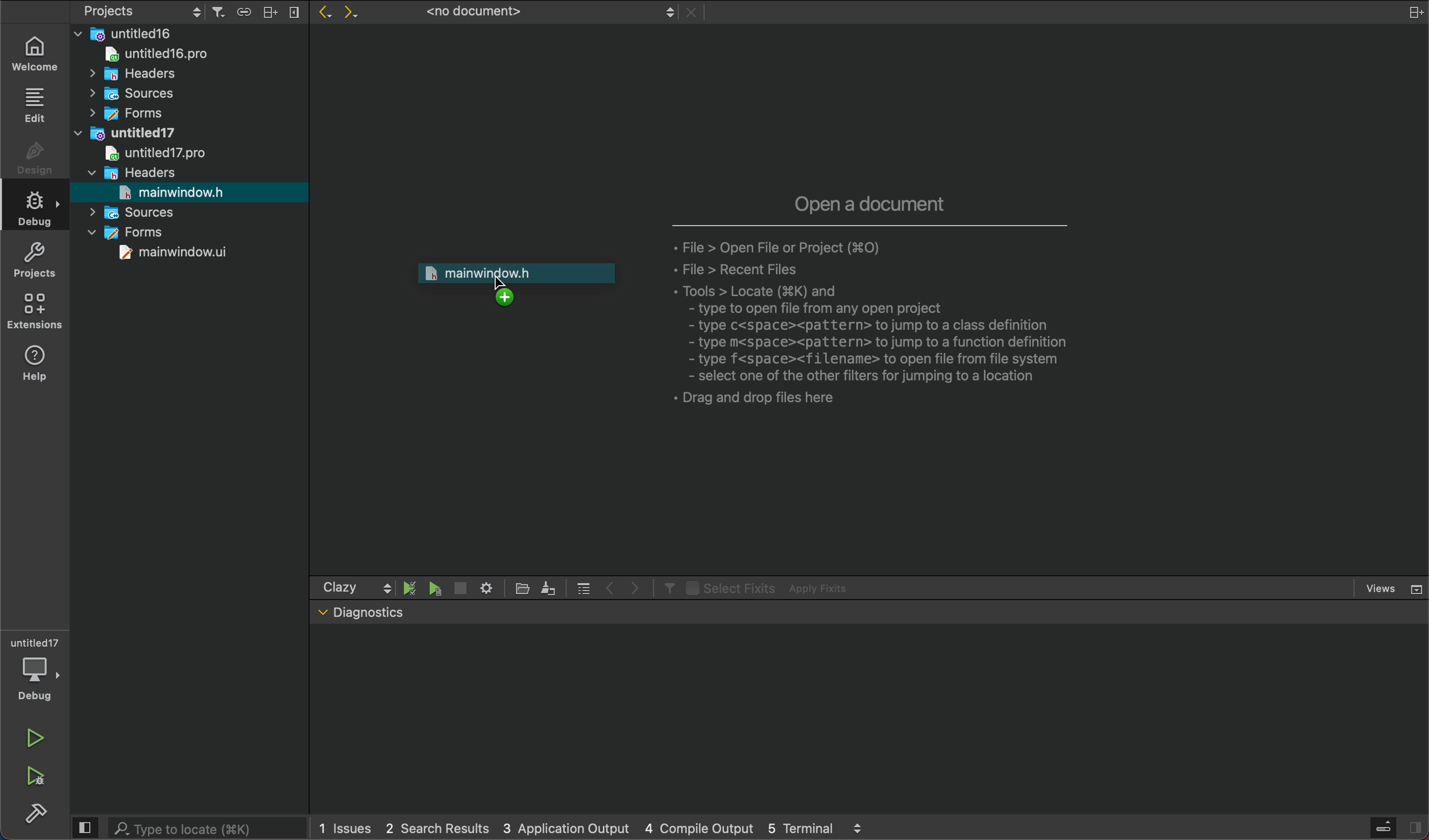 This screenshot has width=1429, height=840. I want to click on Next, so click(356, 14).